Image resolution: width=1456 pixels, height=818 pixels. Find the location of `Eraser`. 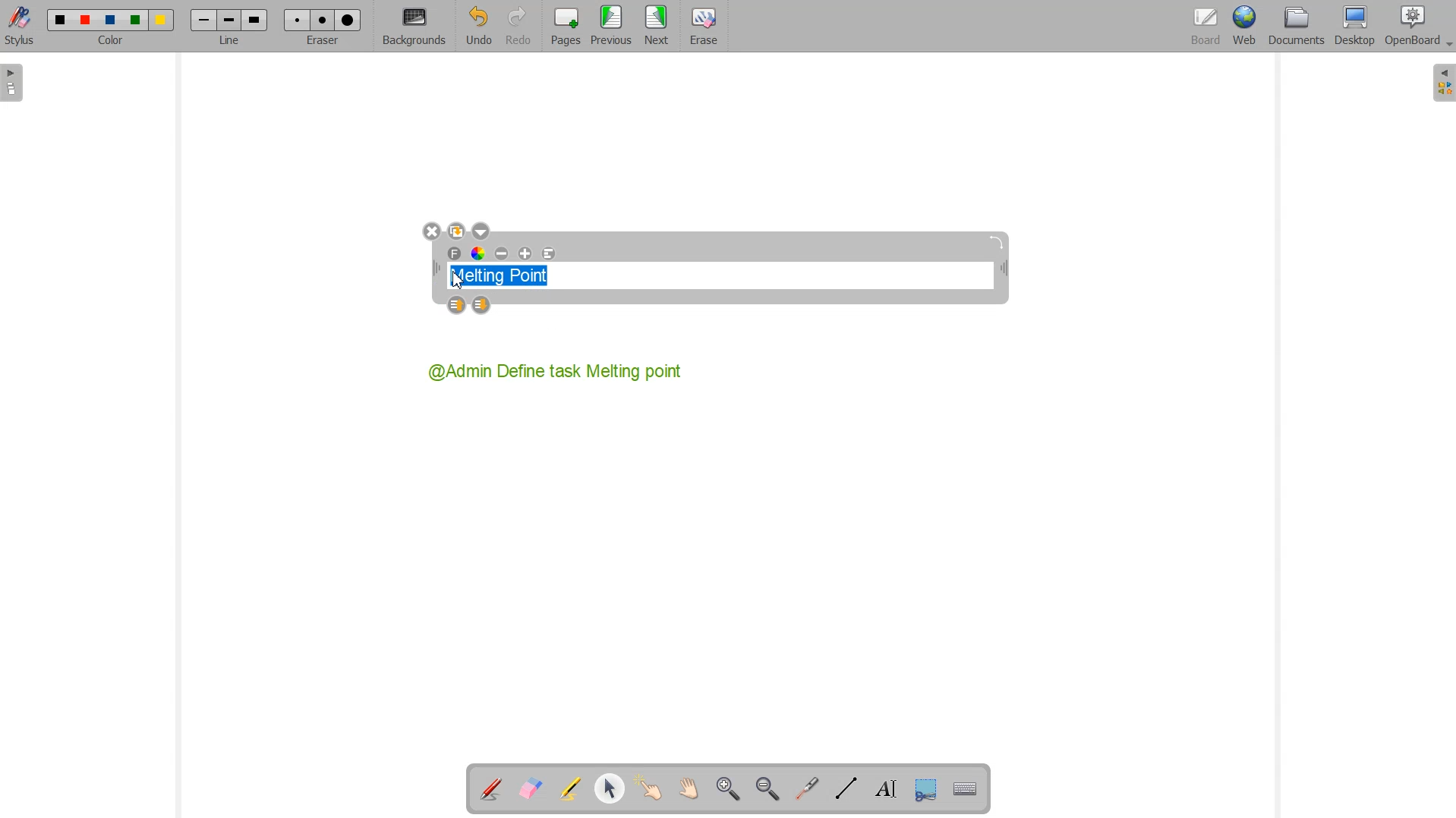

Eraser is located at coordinates (701, 27).